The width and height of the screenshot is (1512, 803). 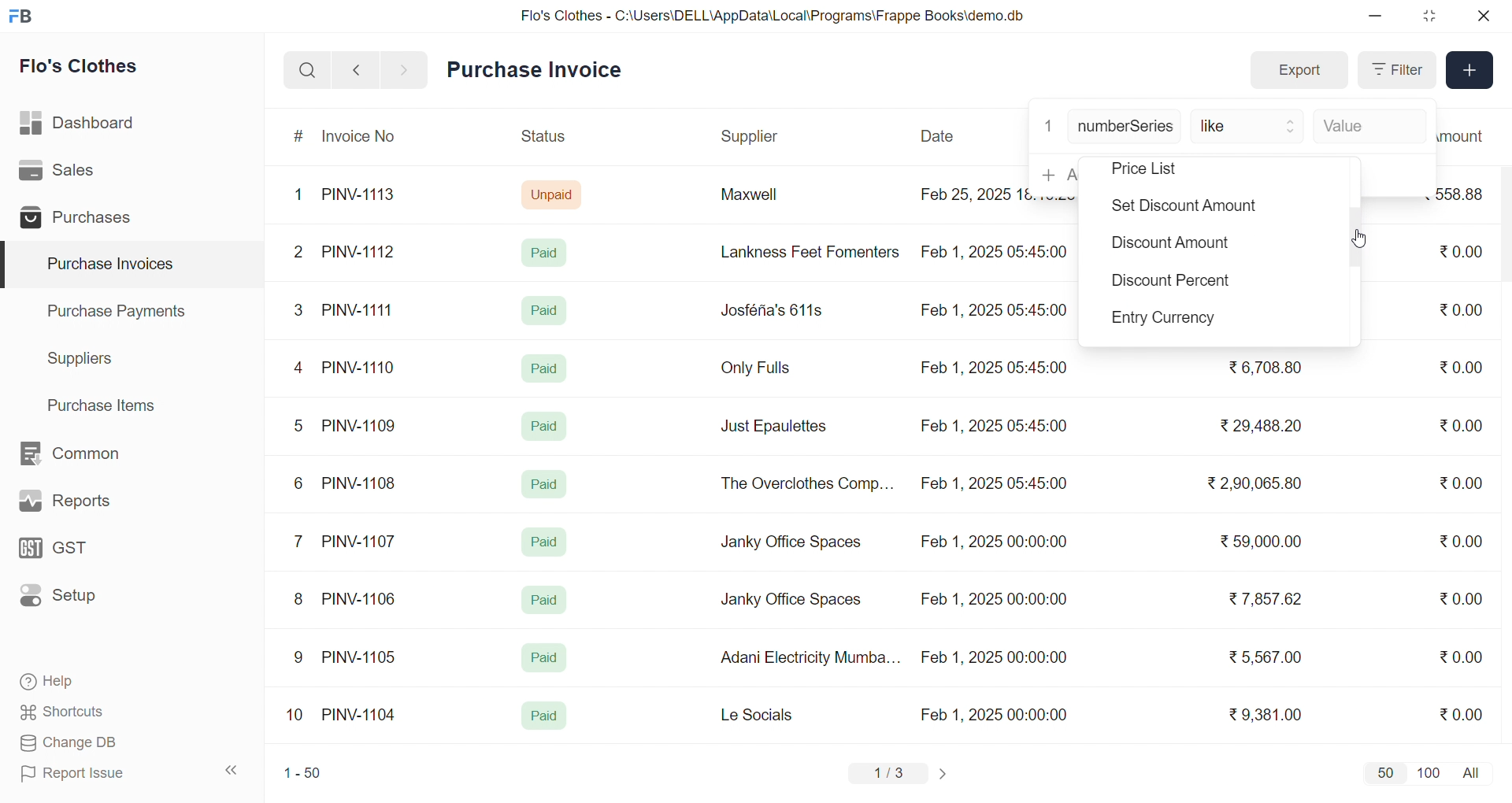 What do you see at coordinates (362, 657) in the screenshot?
I see `PINV-1105` at bounding box center [362, 657].